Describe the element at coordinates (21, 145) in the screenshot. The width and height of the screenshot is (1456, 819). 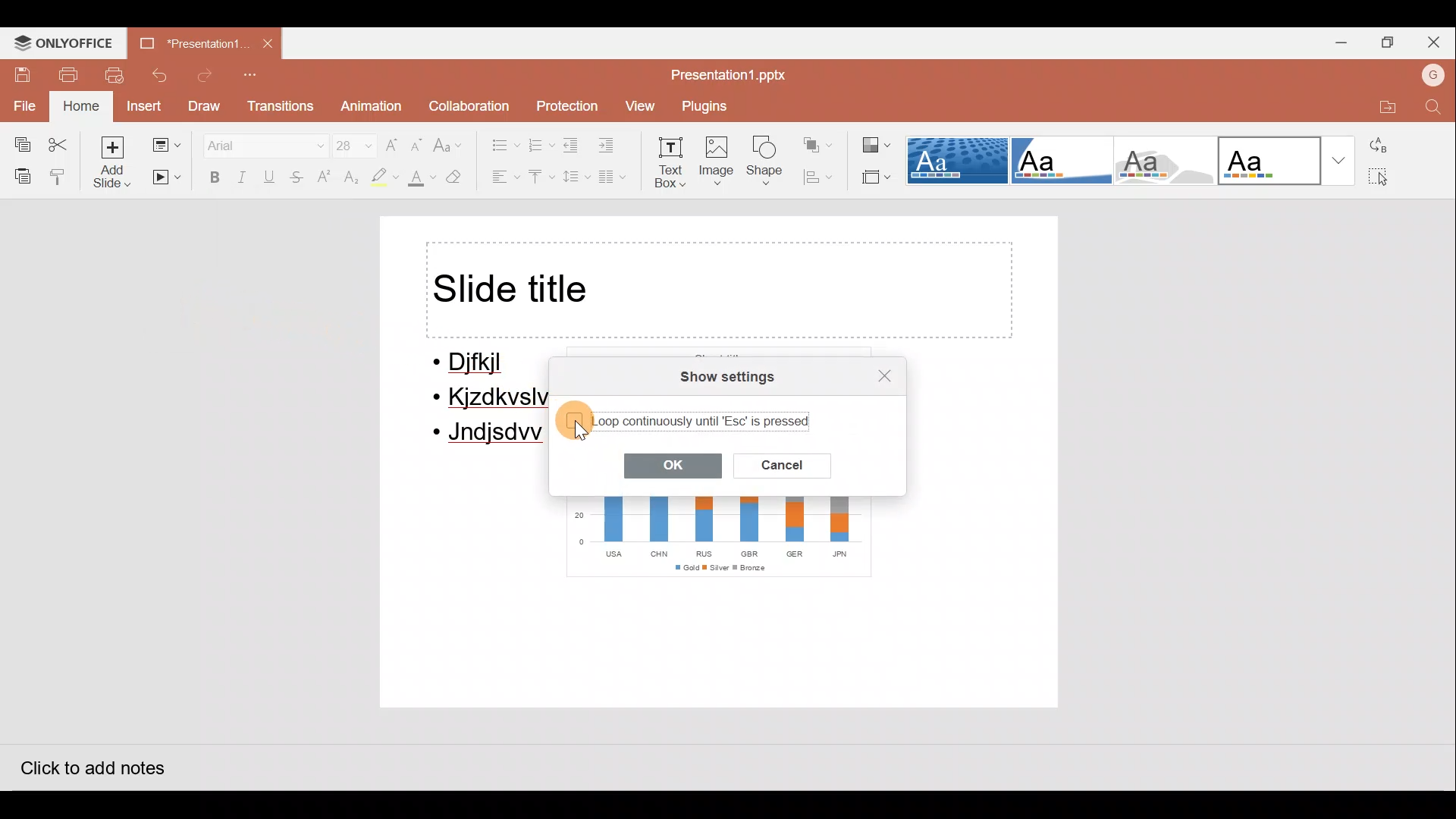
I see `Copy` at that location.